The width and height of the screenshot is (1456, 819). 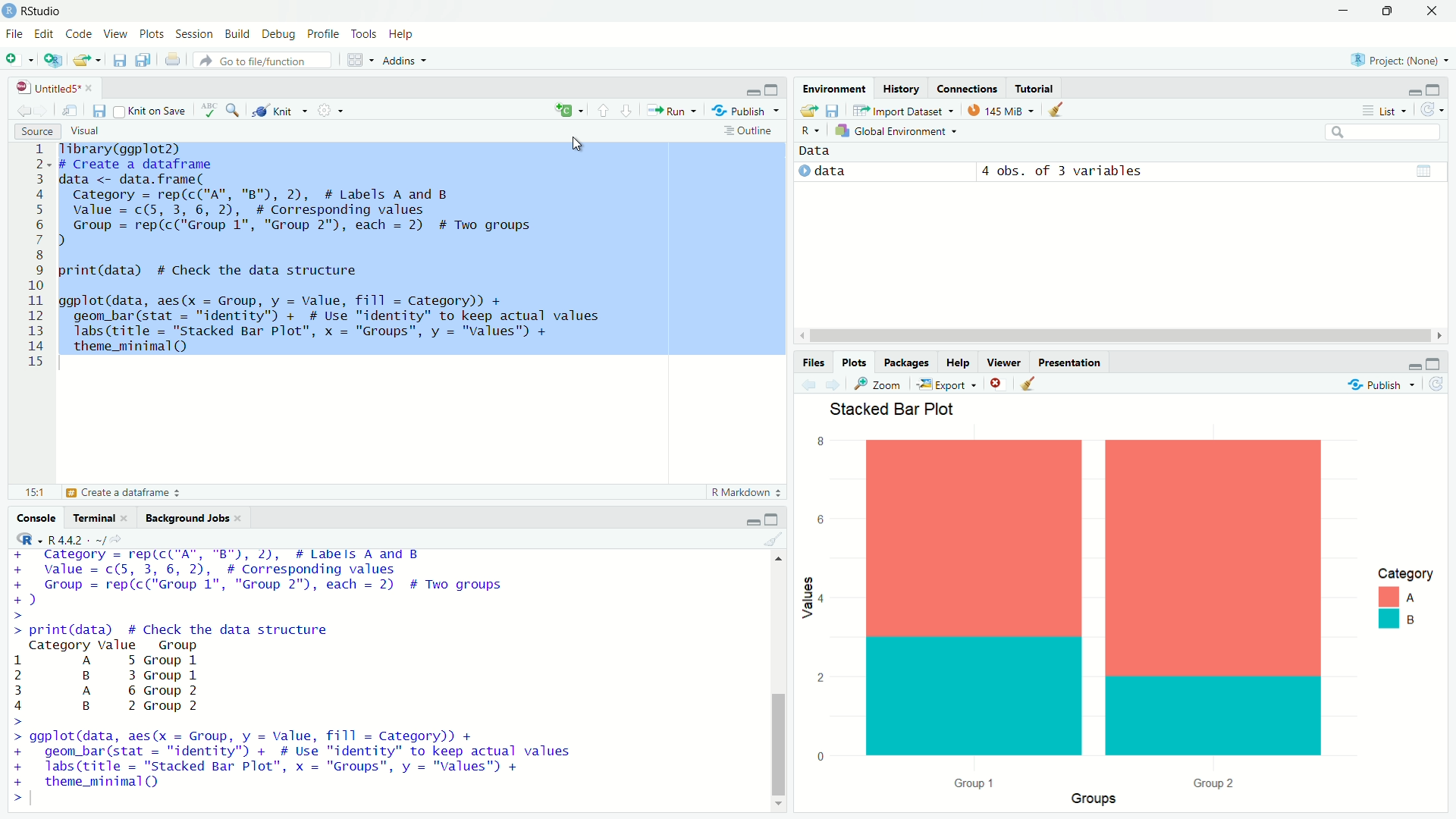 What do you see at coordinates (808, 108) in the screenshot?
I see `Load workspace` at bounding box center [808, 108].